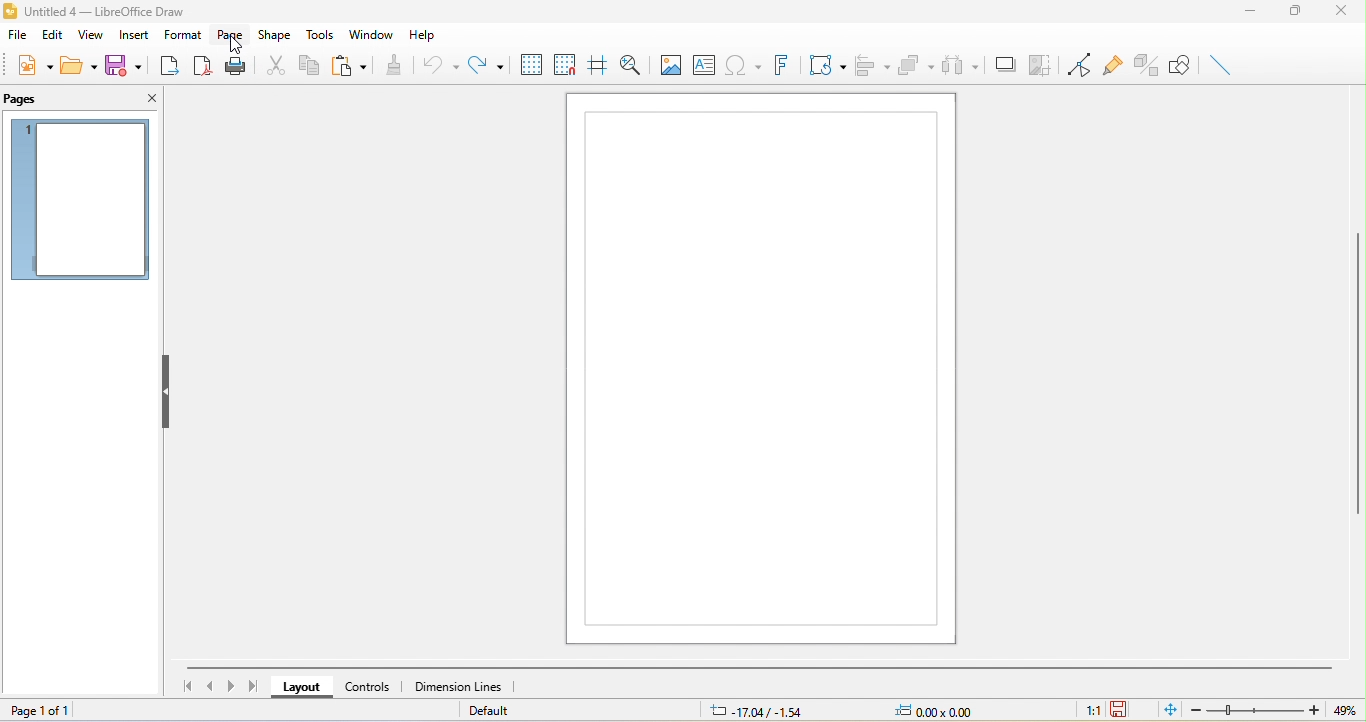 Image resolution: width=1366 pixels, height=722 pixels. Describe the element at coordinates (33, 69) in the screenshot. I see `new` at that location.